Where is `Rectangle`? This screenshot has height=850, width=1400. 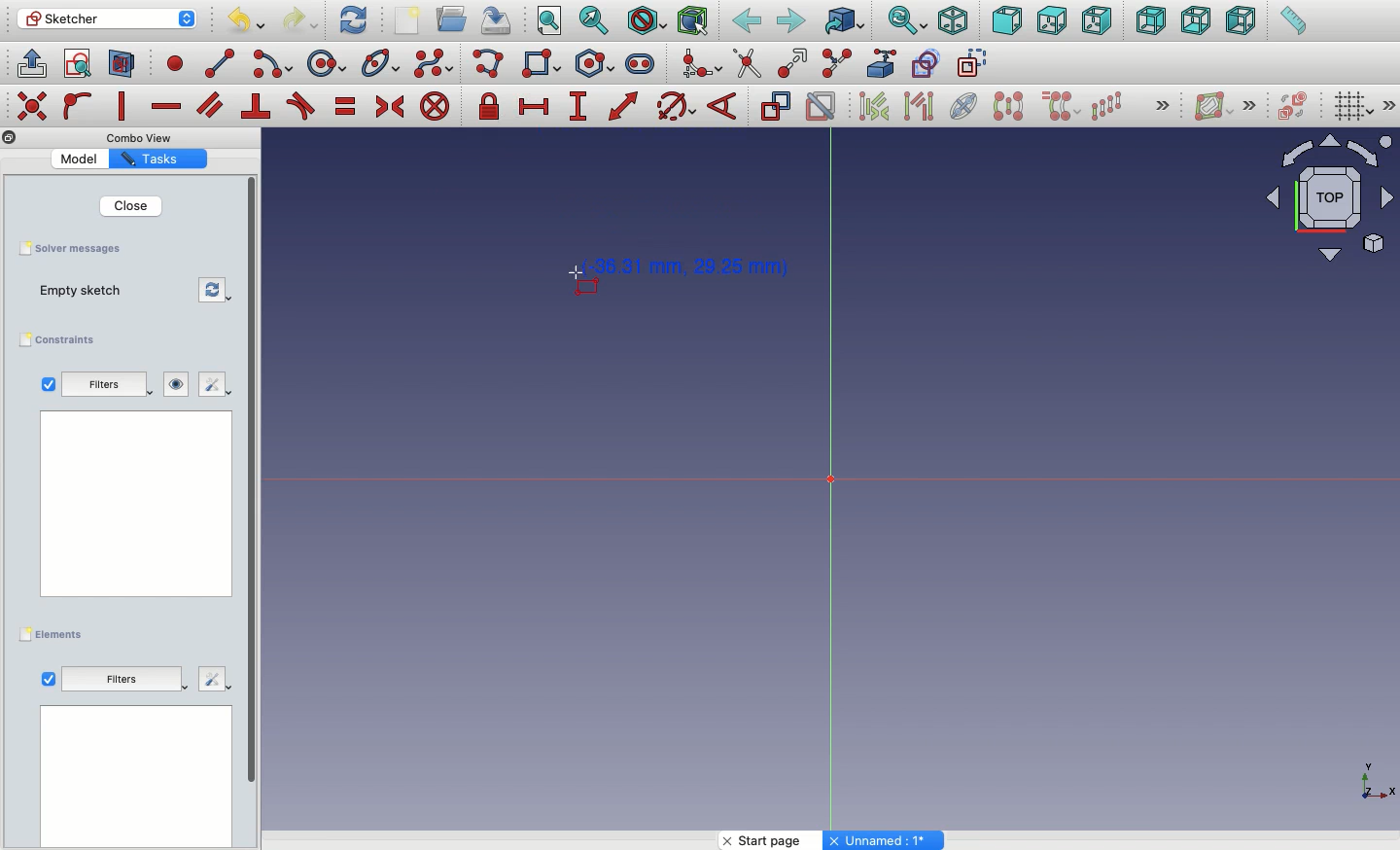
Rectangle is located at coordinates (545, 66).